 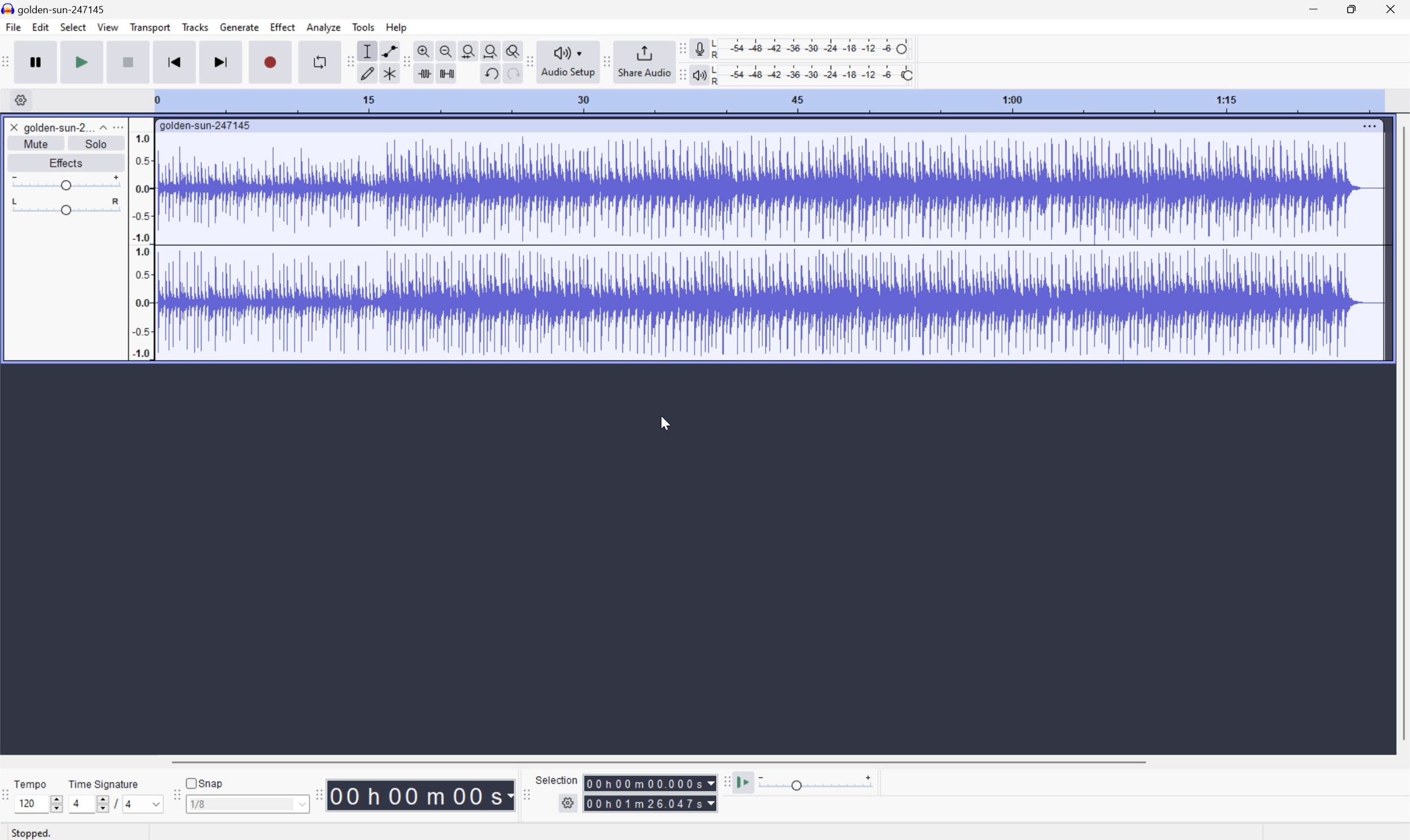 What do you see at coordinates (174, 62) in the screenshot?
I see `Skip to start` at bounding box center [174, 62].